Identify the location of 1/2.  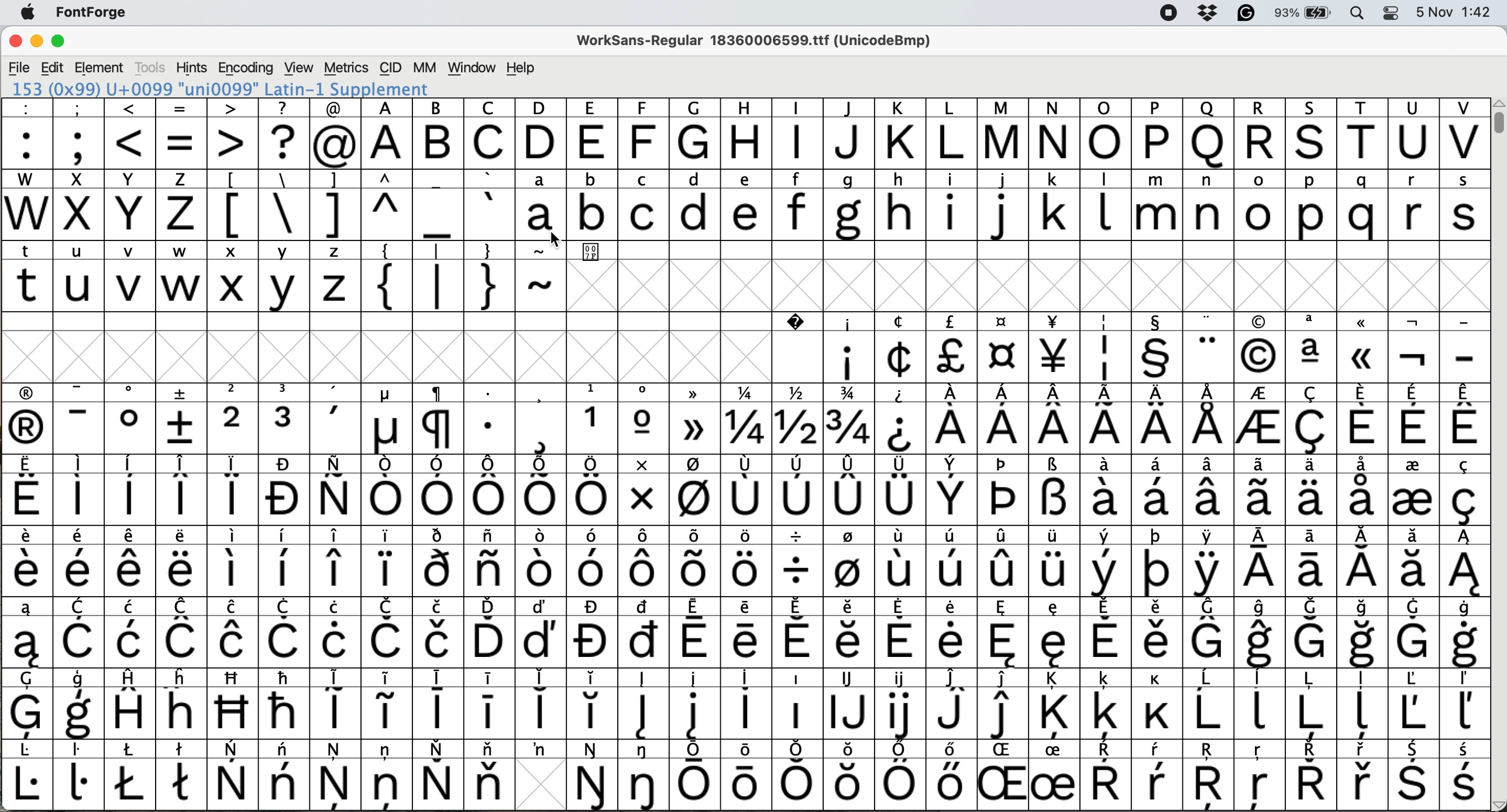
(799, 418).